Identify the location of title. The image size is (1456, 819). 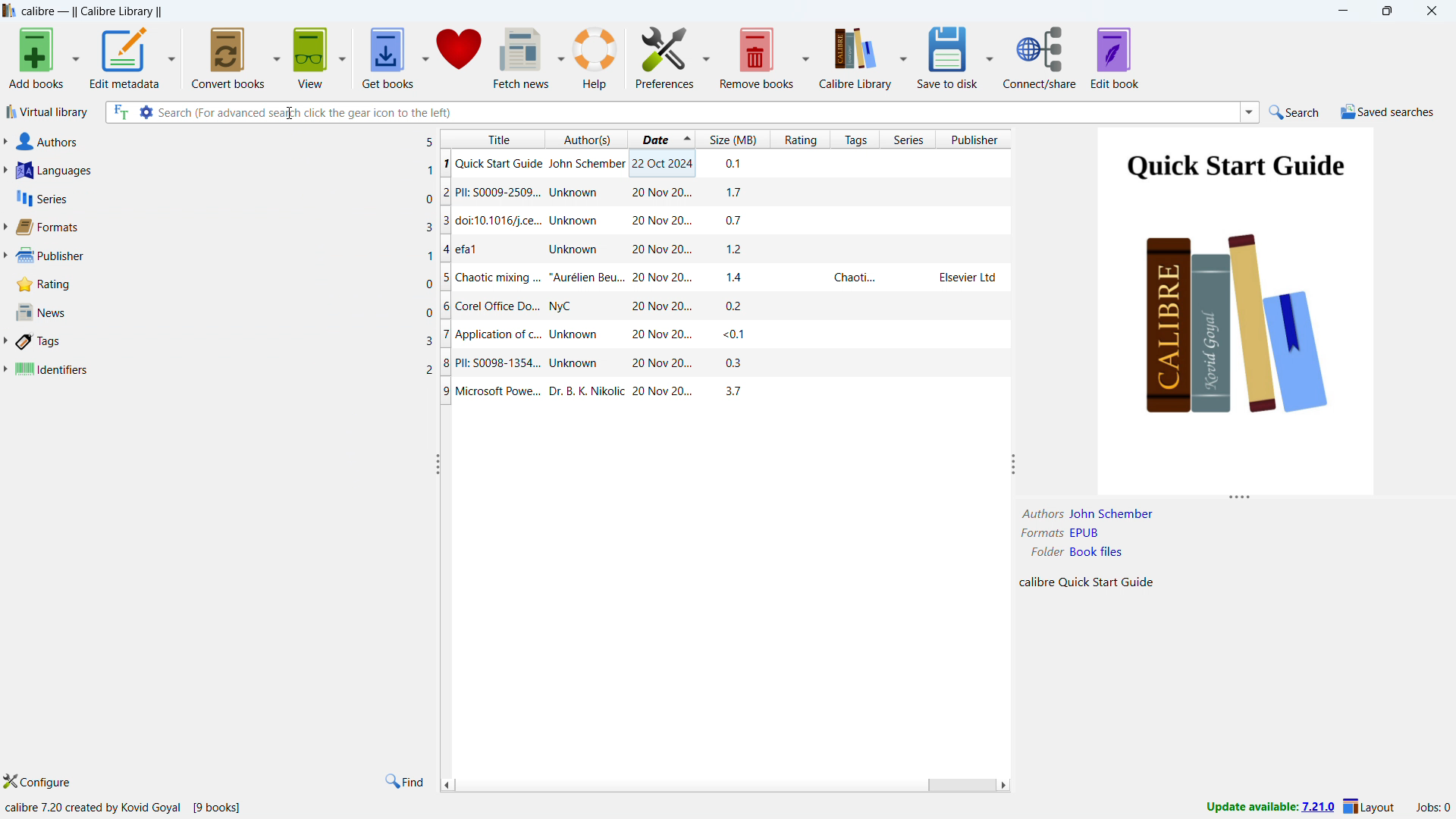
(93, 11).